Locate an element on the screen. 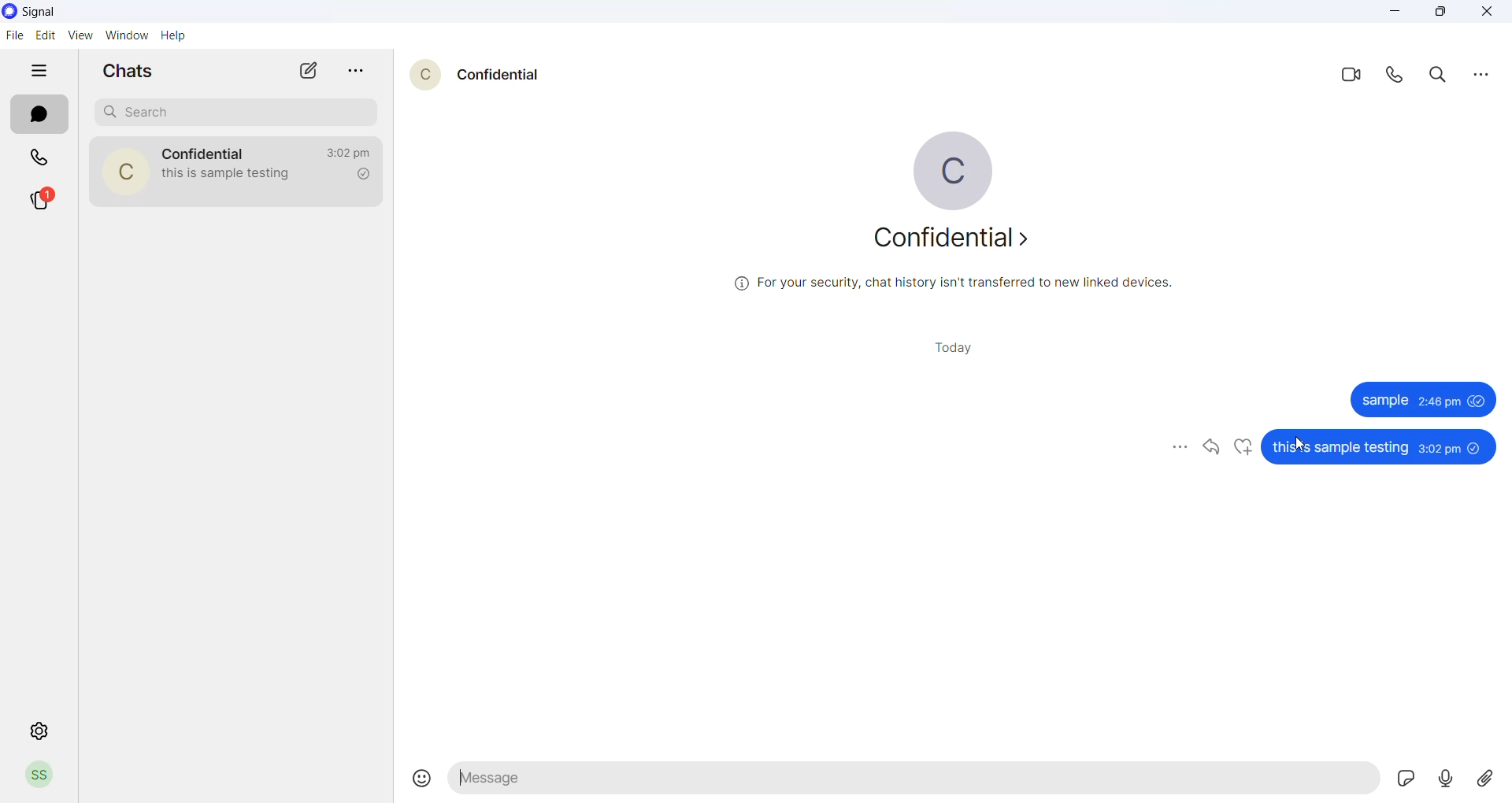 The image size is (1512, 803). cursor is located at coordinates (1305, 443).